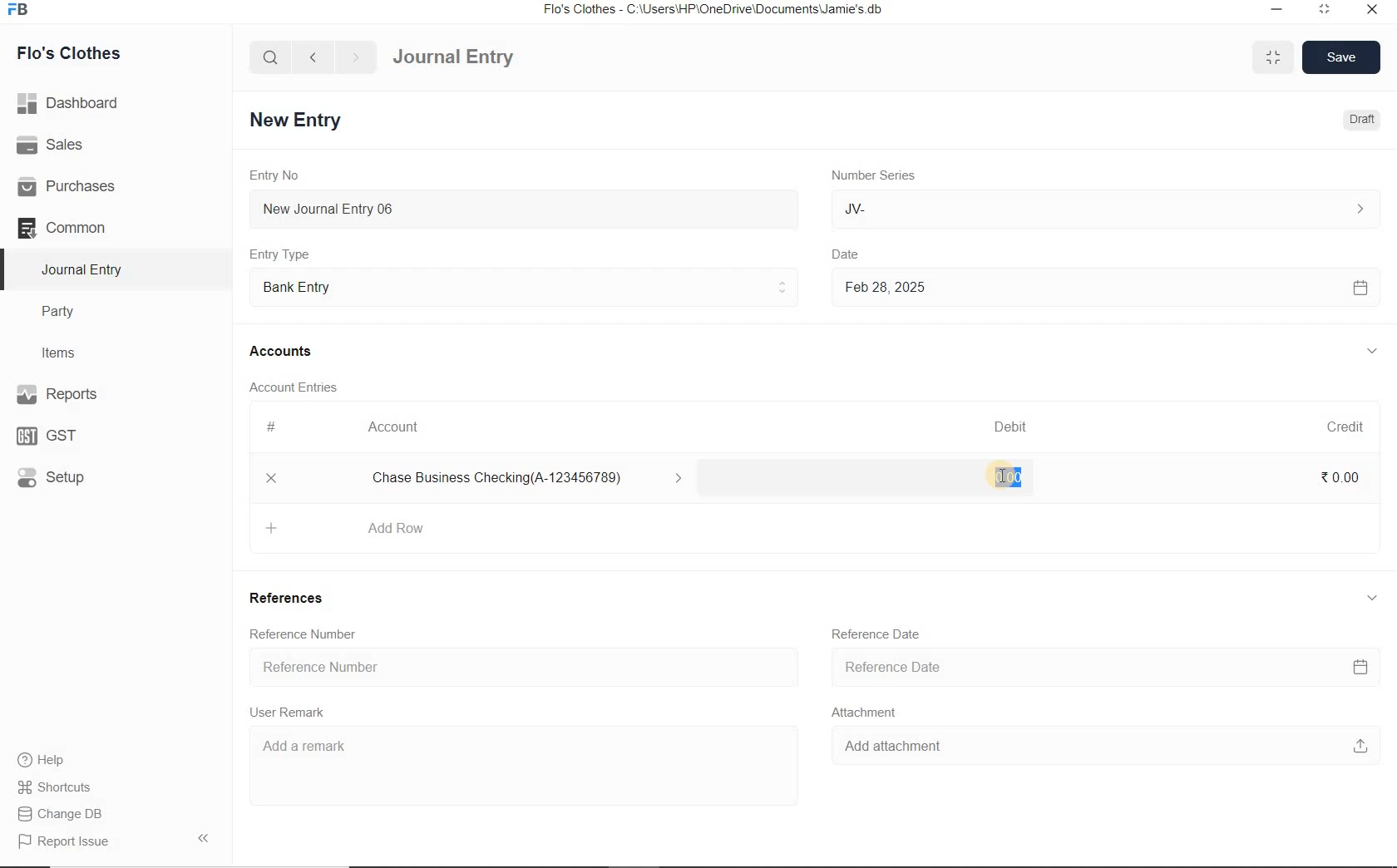 This screenshot has height=868, width=1397. What do you see at coordinates (84, 269) in the screenshot?
I see `Journal Entry` at bounding box center [84, 269].